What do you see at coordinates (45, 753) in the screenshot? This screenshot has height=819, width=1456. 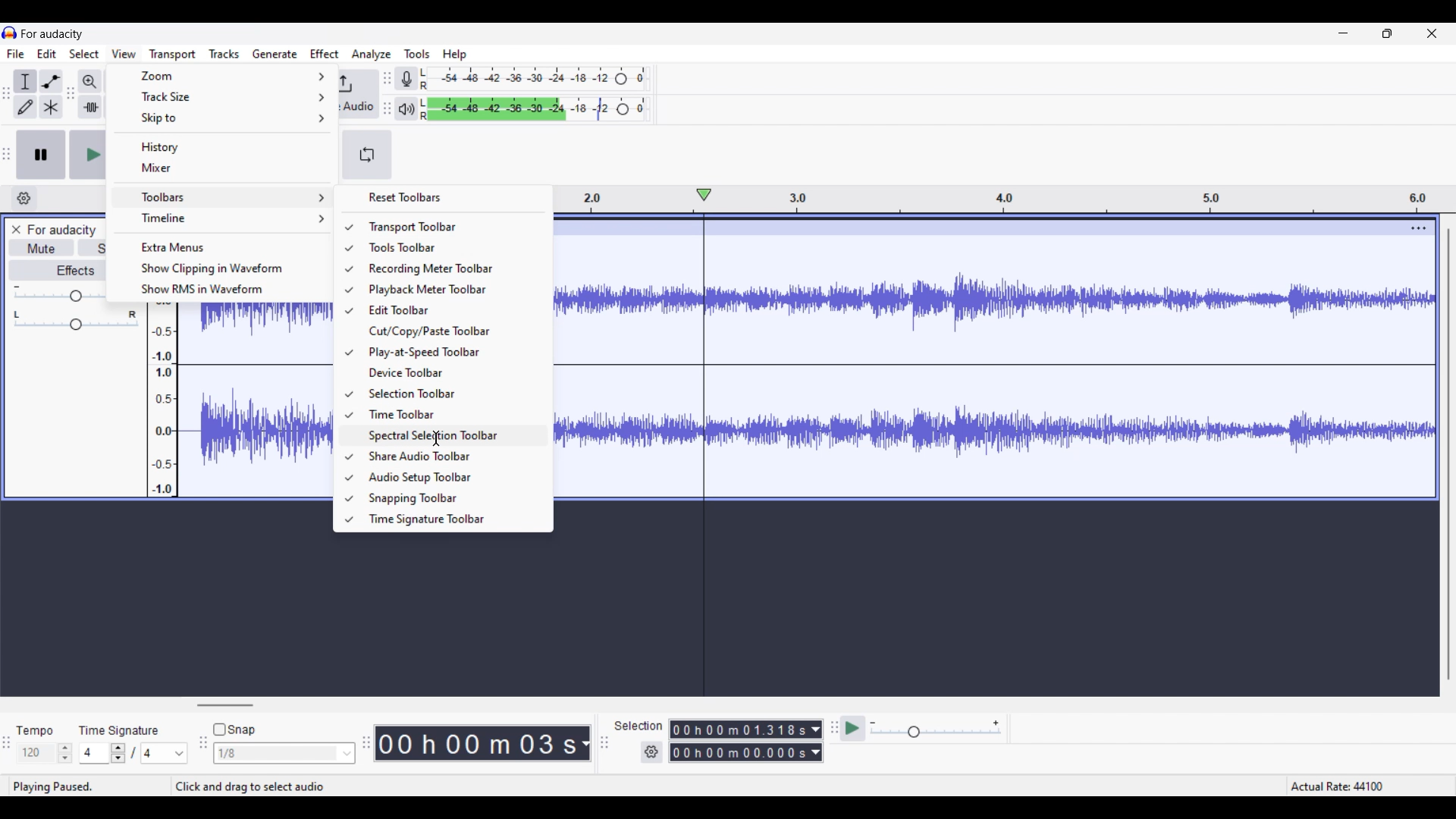 I see `Tempo settings` at bounding box center [45, 753].